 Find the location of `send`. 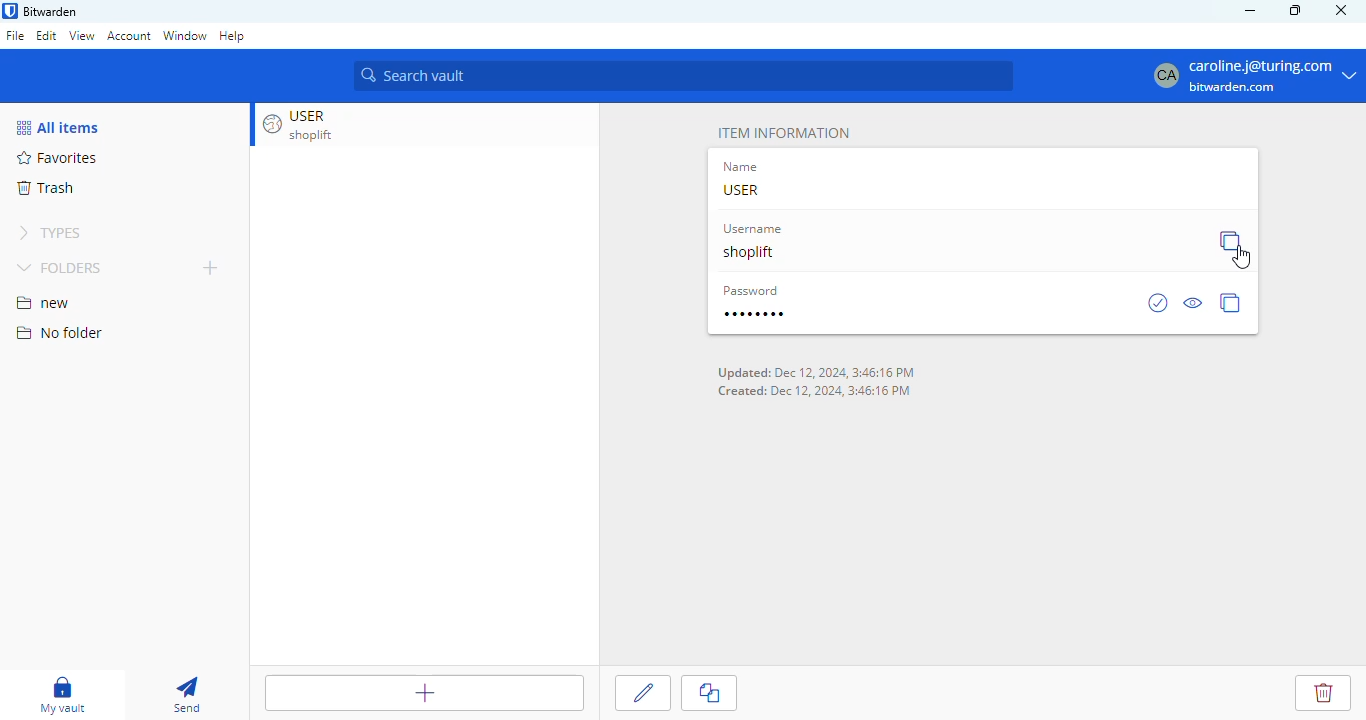

send is located at coordinates (188, 694).